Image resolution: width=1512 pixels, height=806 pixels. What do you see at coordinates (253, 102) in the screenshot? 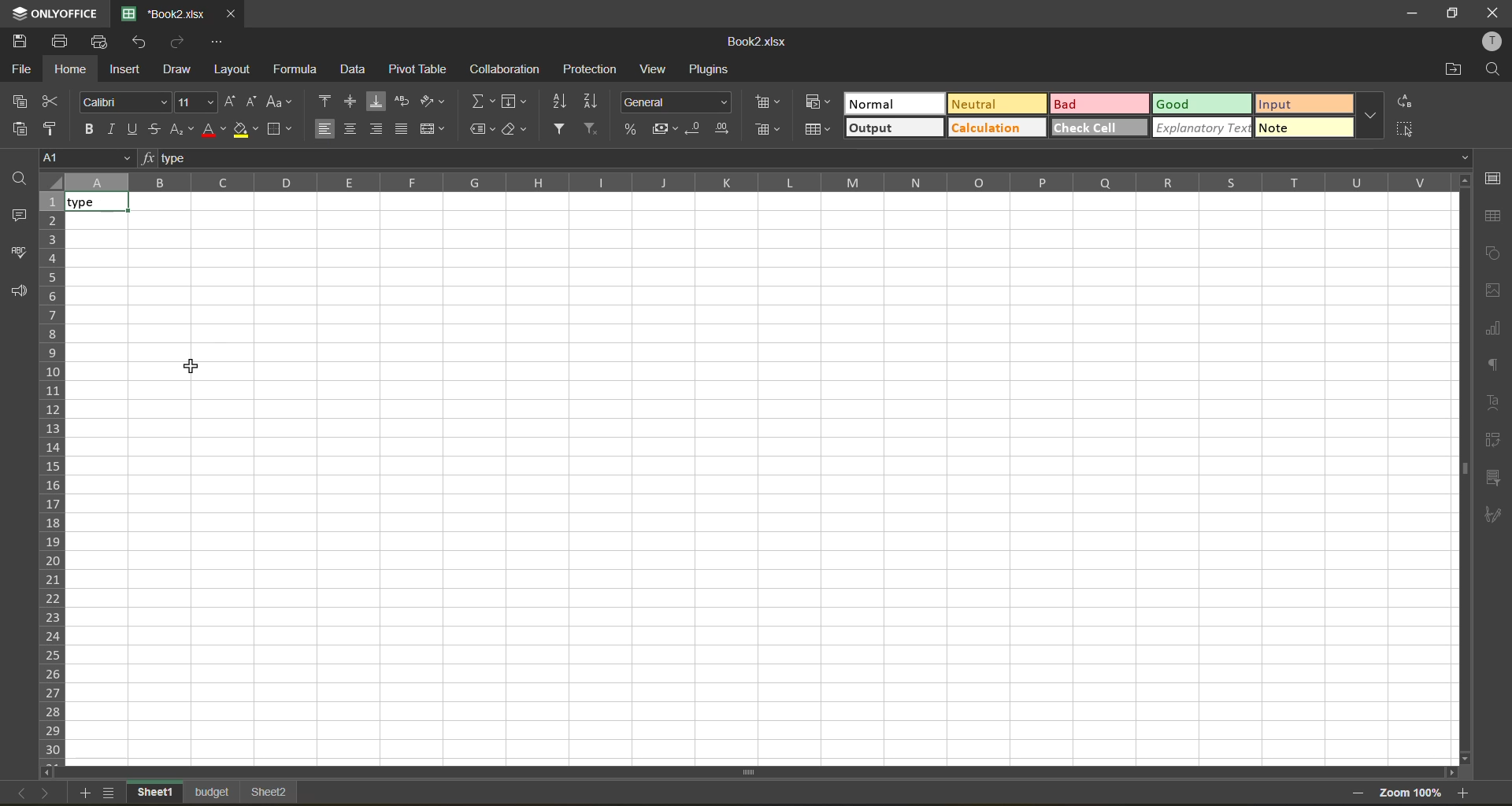
I see `decrement size` at bounding box center [253, 102].